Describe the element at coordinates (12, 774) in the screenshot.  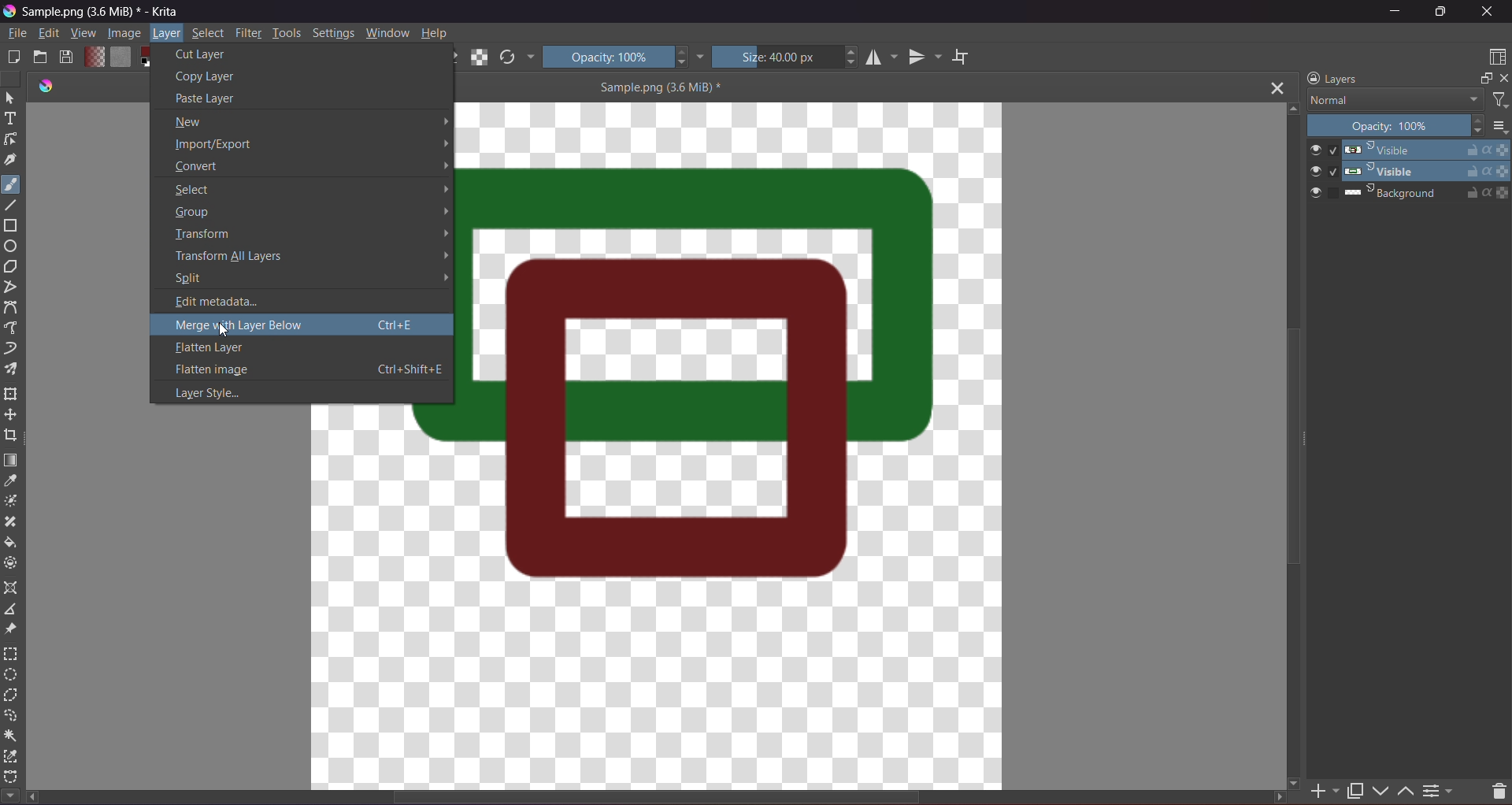
I see `Bezier Curve Selection` at that location.